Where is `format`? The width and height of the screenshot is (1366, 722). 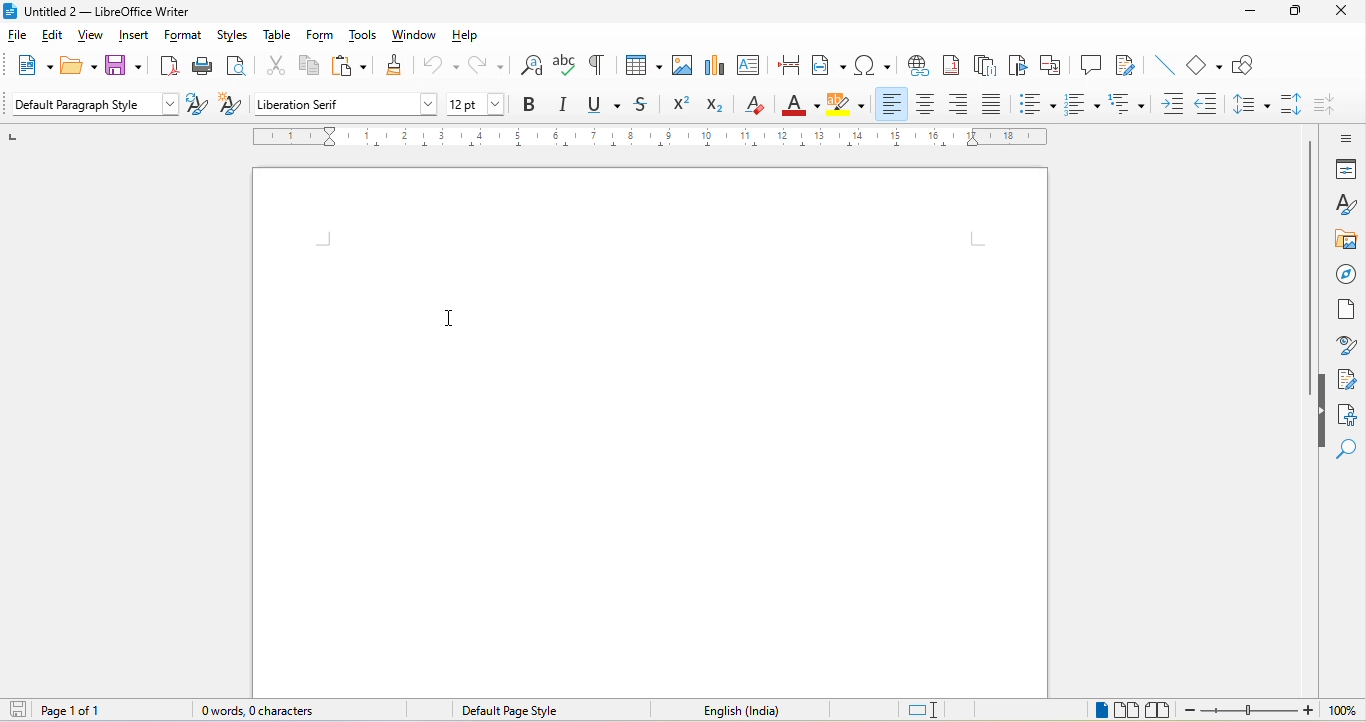 format is located at coordinates (183, 38).